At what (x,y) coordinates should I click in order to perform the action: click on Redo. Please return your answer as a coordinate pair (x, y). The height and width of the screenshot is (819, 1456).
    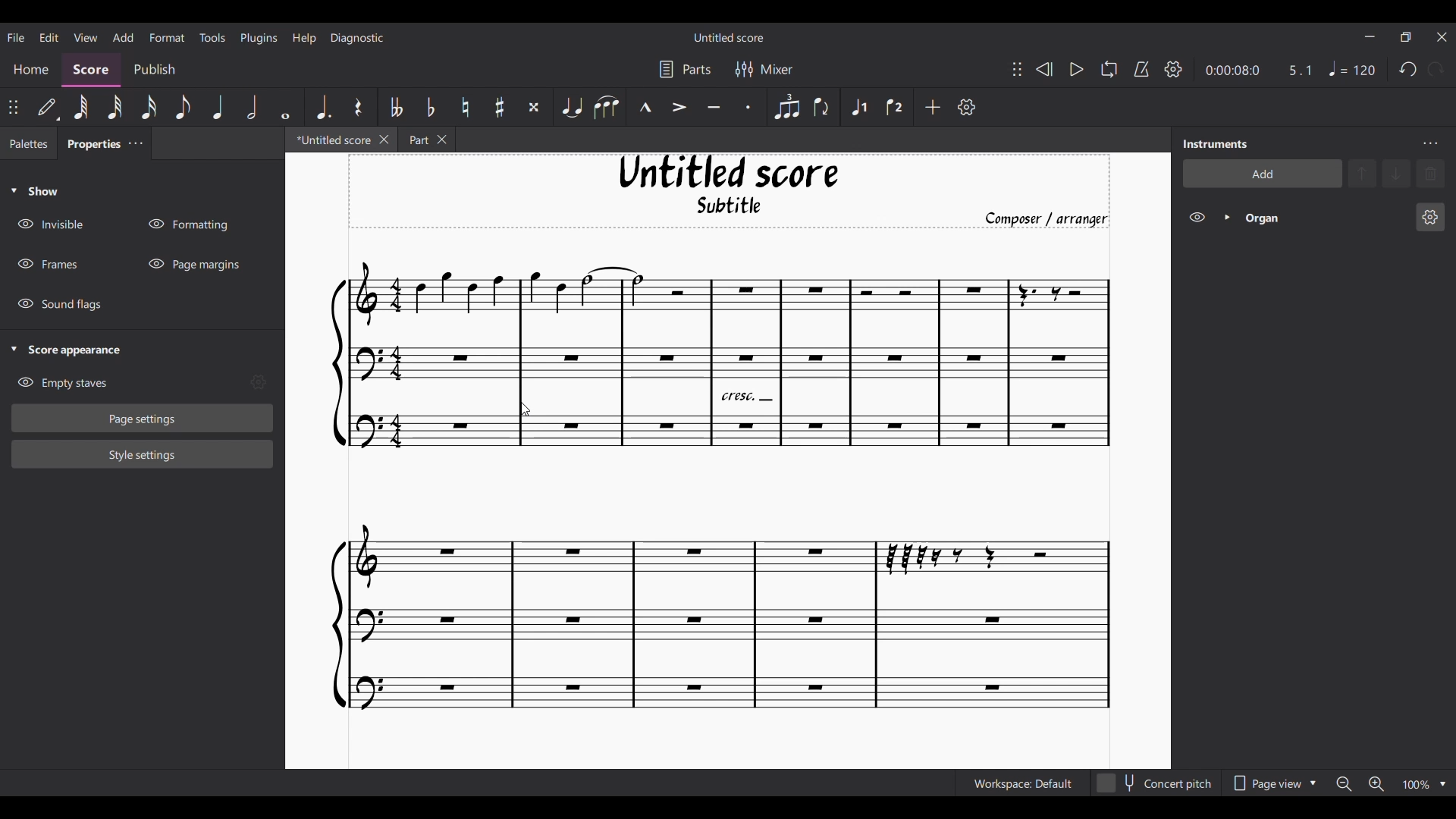
    Looking at the image, I should click on (1436, 69).